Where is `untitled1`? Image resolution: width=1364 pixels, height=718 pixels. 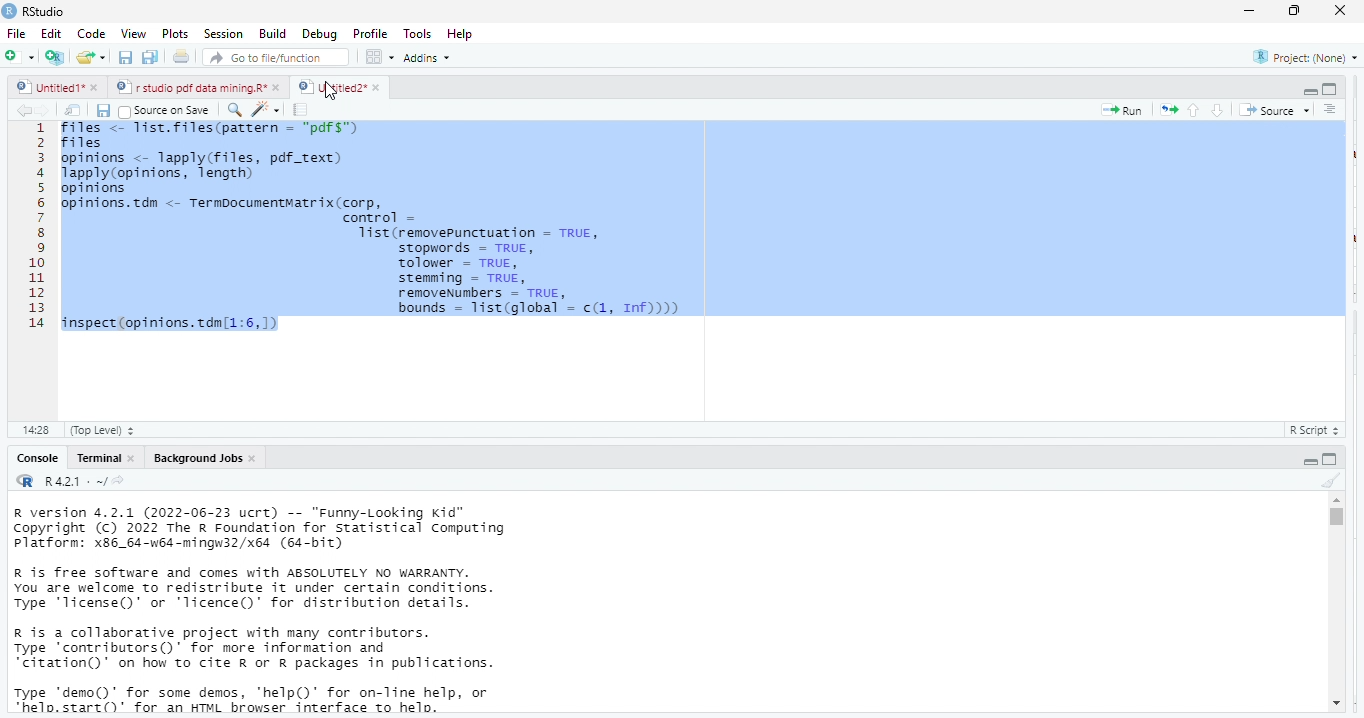
untitled1 is located at coordinates (48, 88).